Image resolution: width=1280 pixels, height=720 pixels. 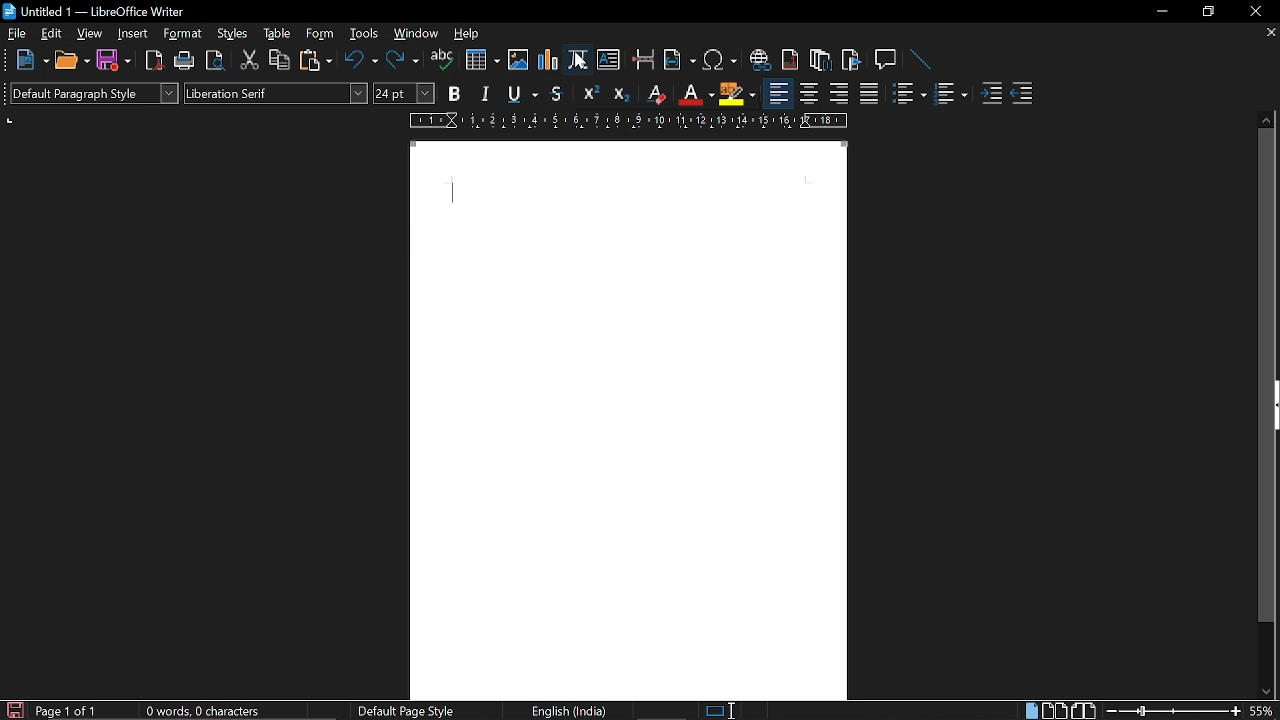 I want to click on increase indent, so click(x=992, y=95).